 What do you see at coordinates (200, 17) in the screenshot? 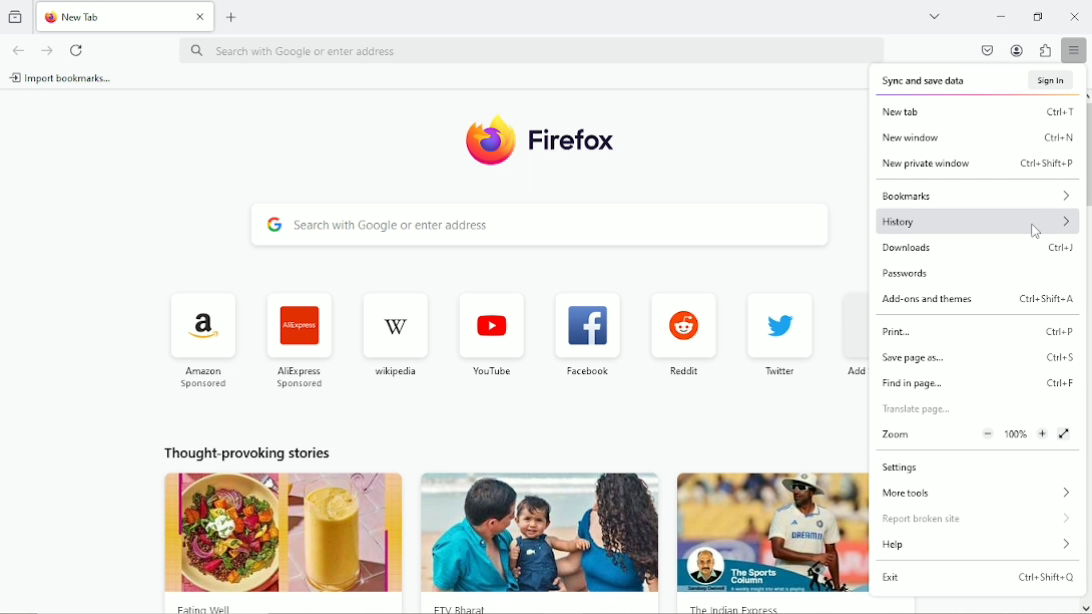
I see `Close` at bounding box center [200, 17].